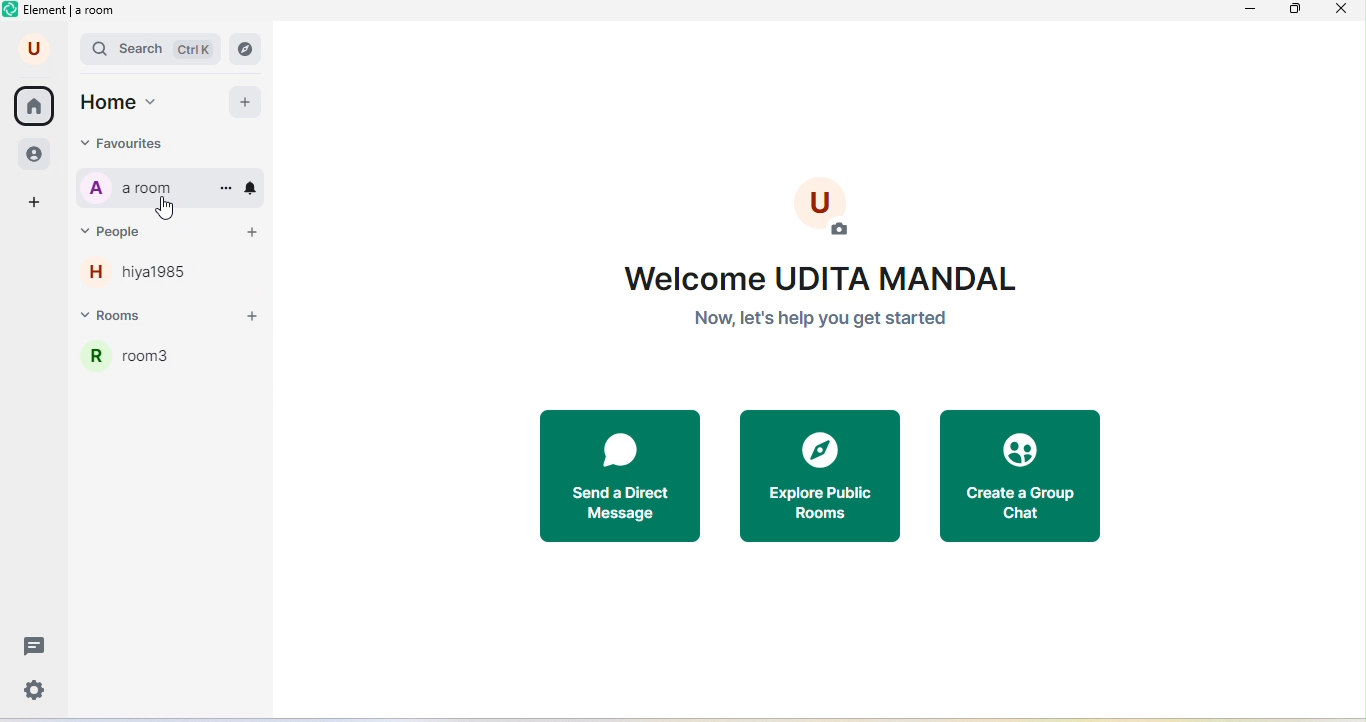 The height and width of the screenshot is (722, 1366). Describe the element at coordinates (31, 202) in the screenshot. I see `add space` at that location.